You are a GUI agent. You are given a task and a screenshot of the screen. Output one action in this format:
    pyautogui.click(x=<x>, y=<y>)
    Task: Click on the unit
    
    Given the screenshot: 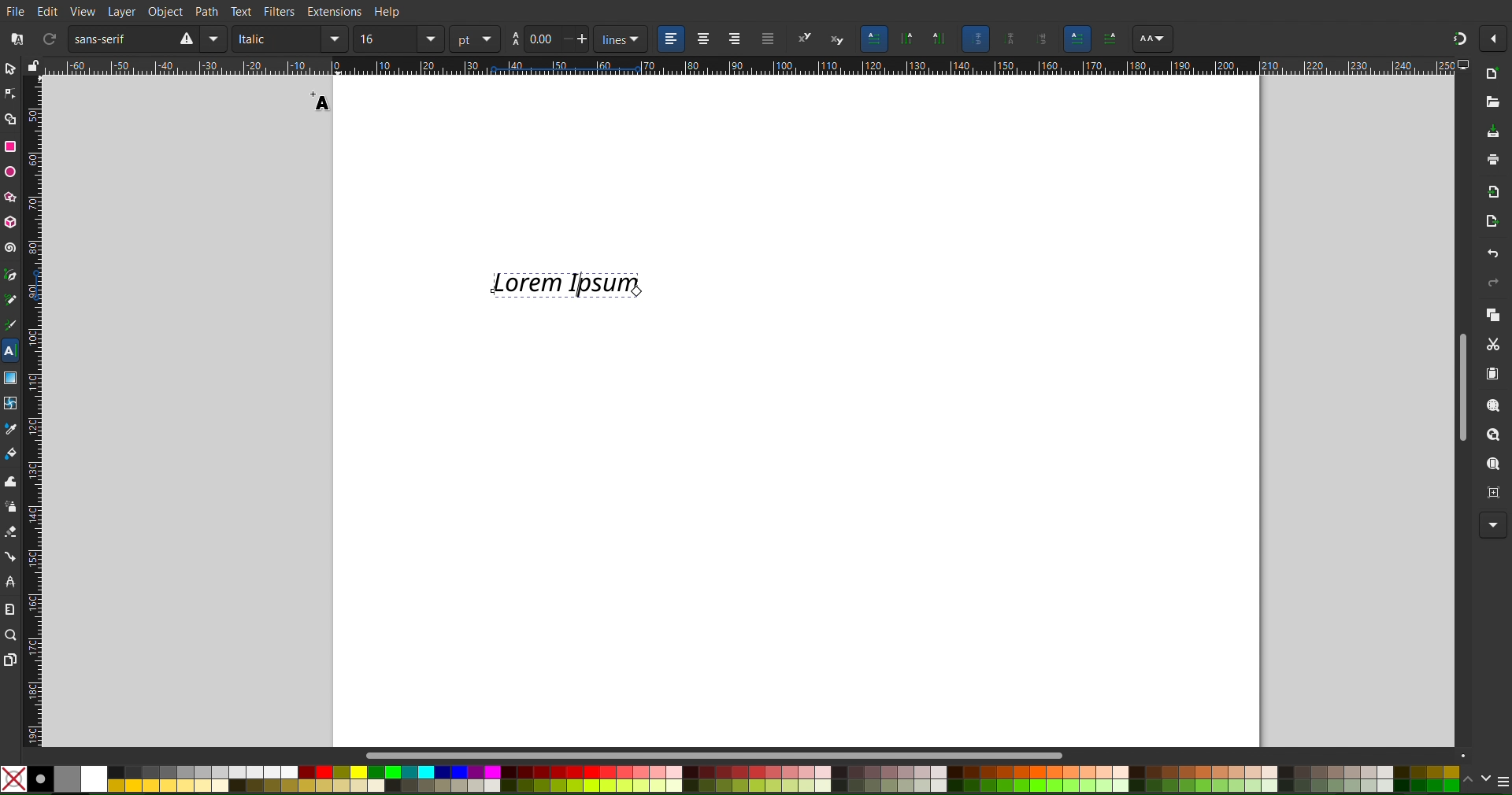 What is the action you would take?
    pyautogui.click(x=476, y=39)
    